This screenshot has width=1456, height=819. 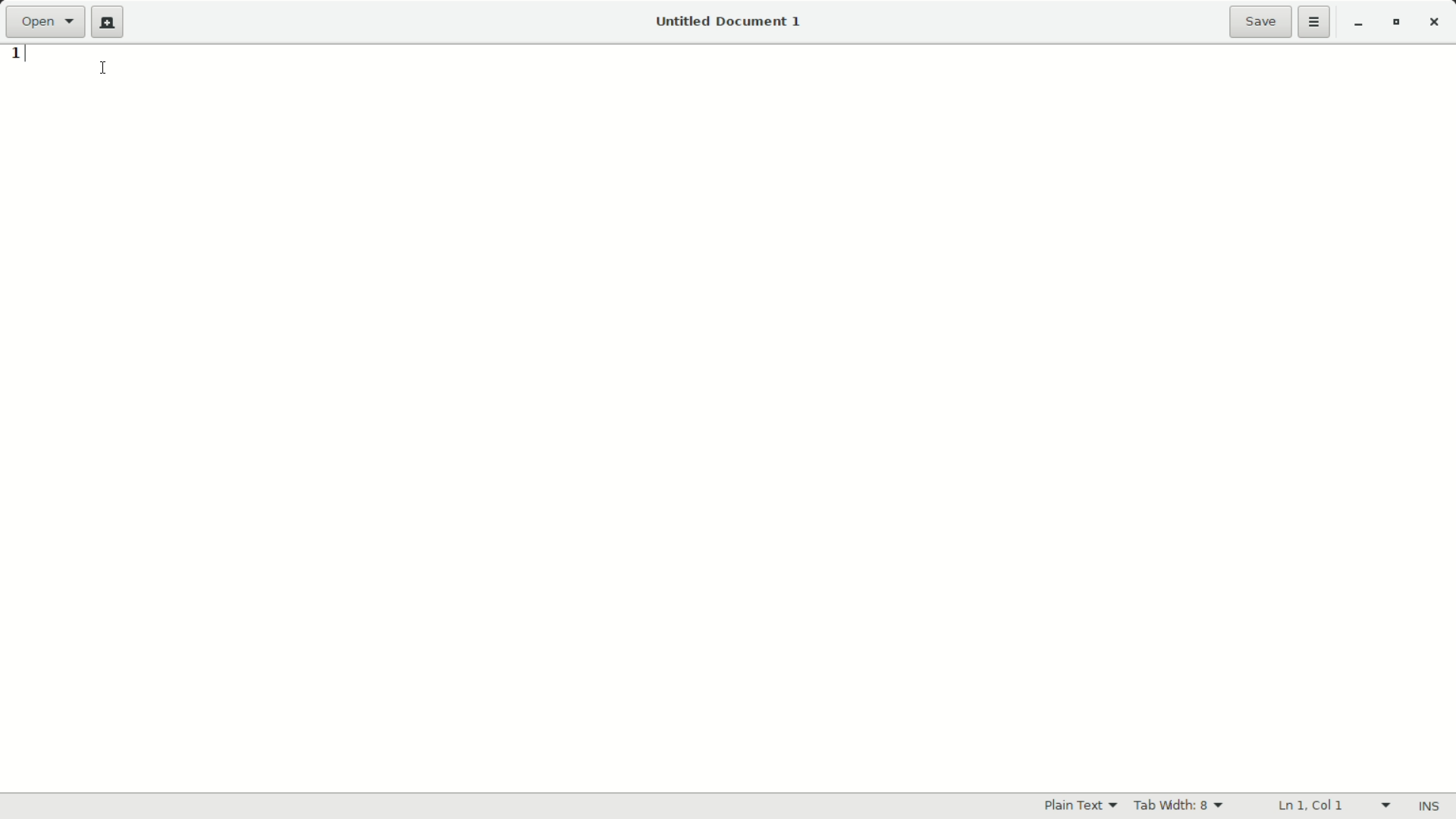 What do you see at coordinates (1358, 24) in the screenshot?
I see `minimize` at bounding box center [1358, 24].